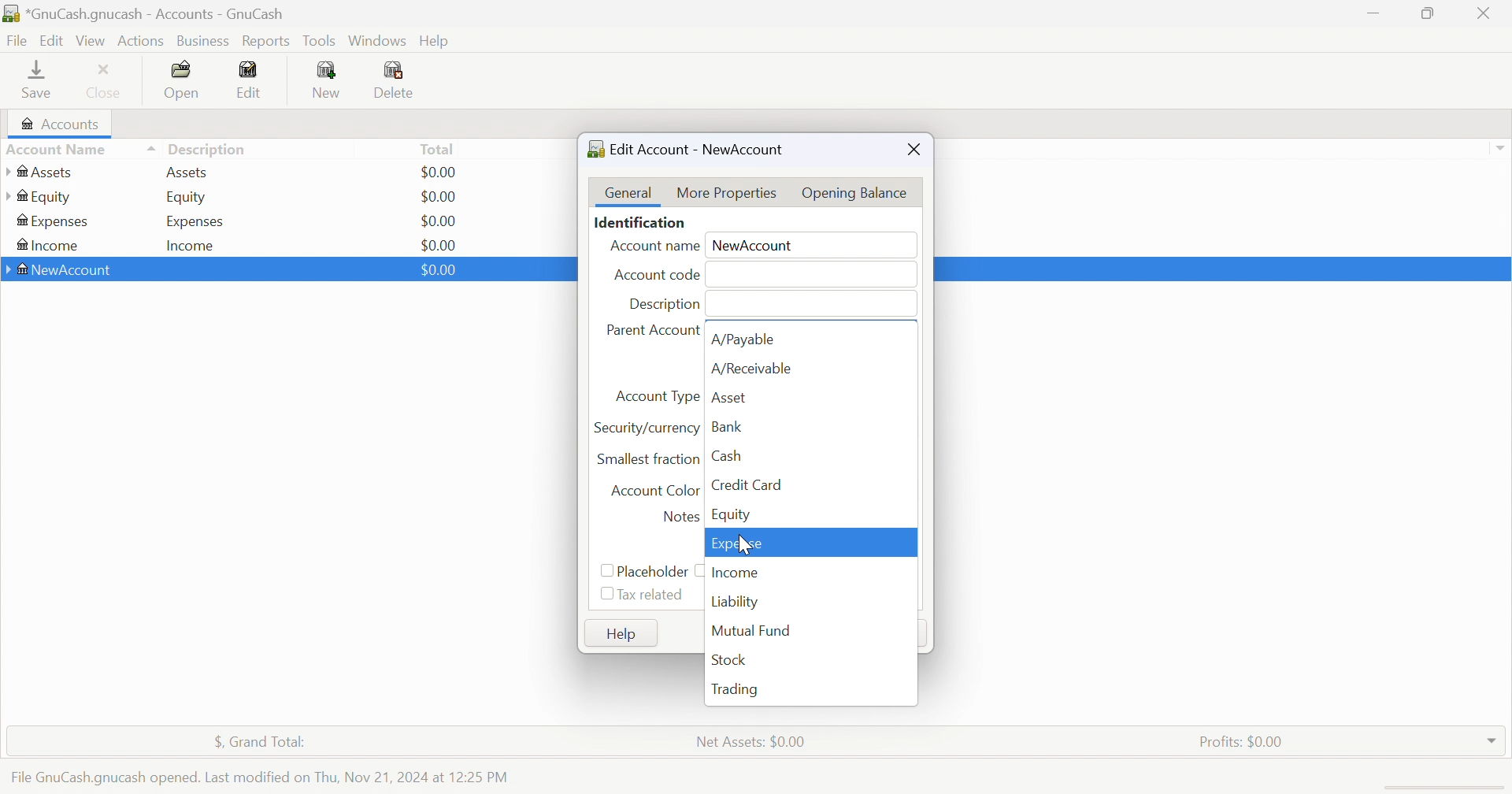 This screenshot has width=1512, height=794. I want to click on Total, so click(439, 148).